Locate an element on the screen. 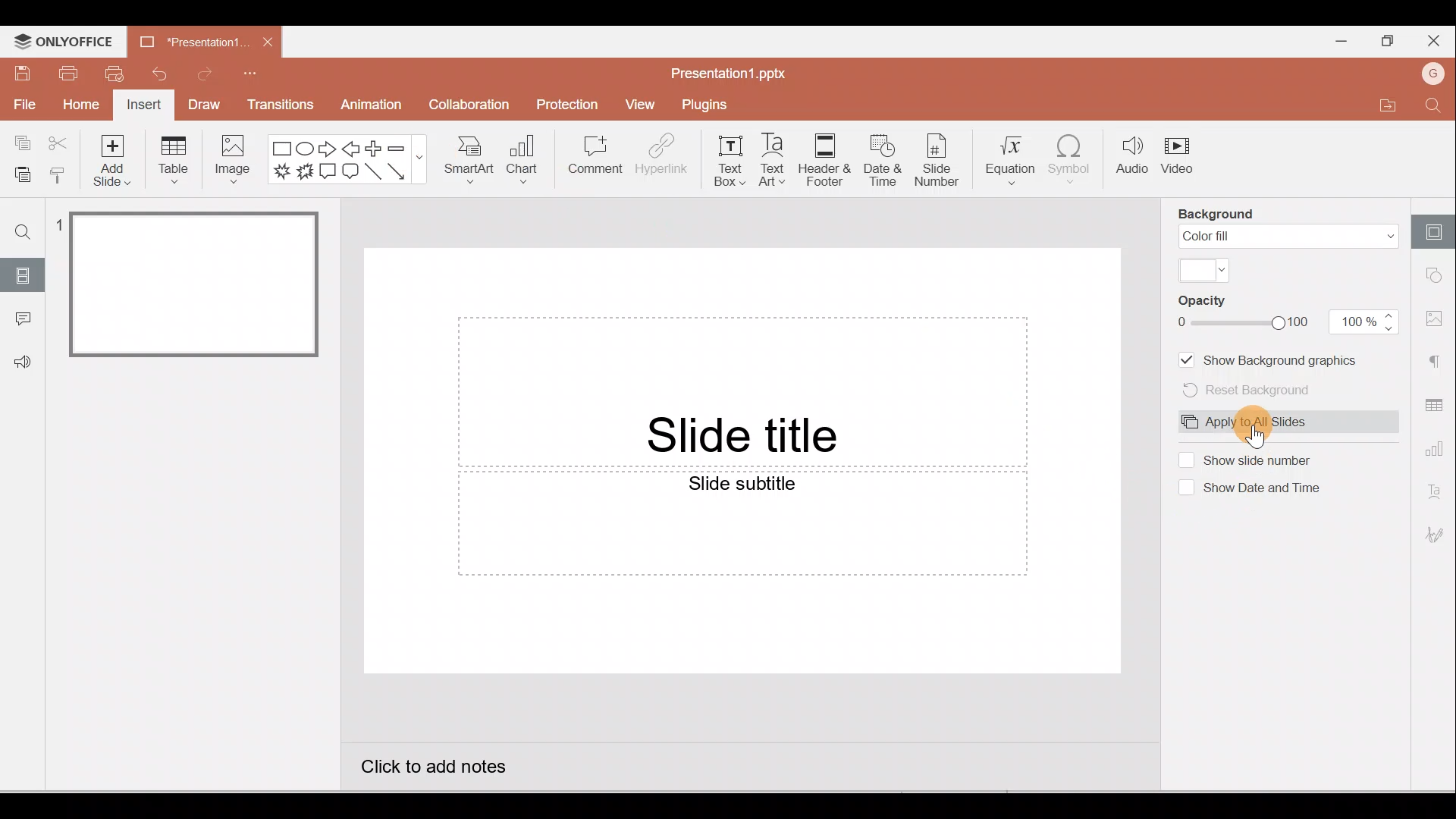 The height and width of the screenshot is (819, 1456). Slide number is located at coordinates (937, 162).